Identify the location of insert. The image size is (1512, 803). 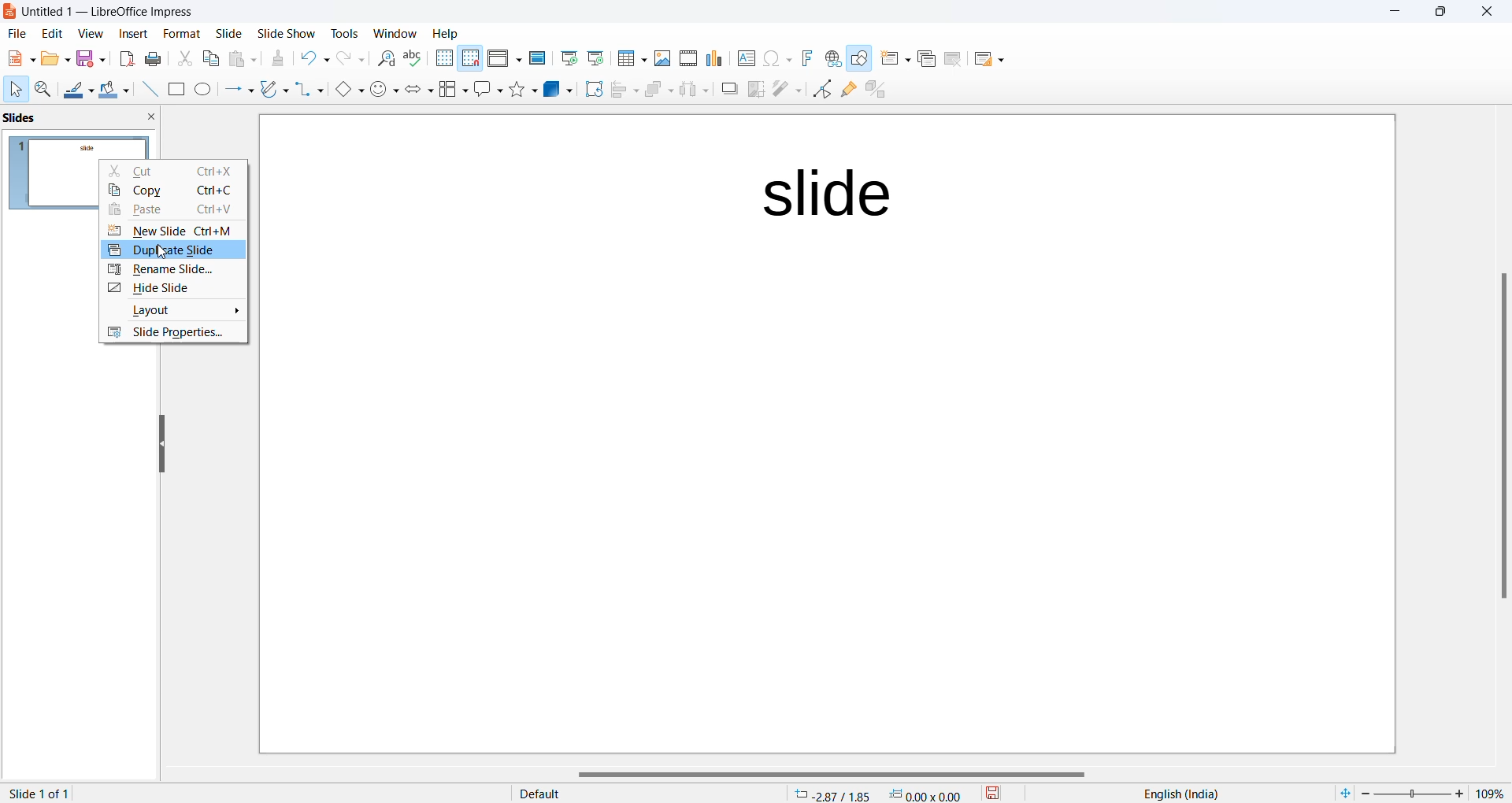
(126, 35).